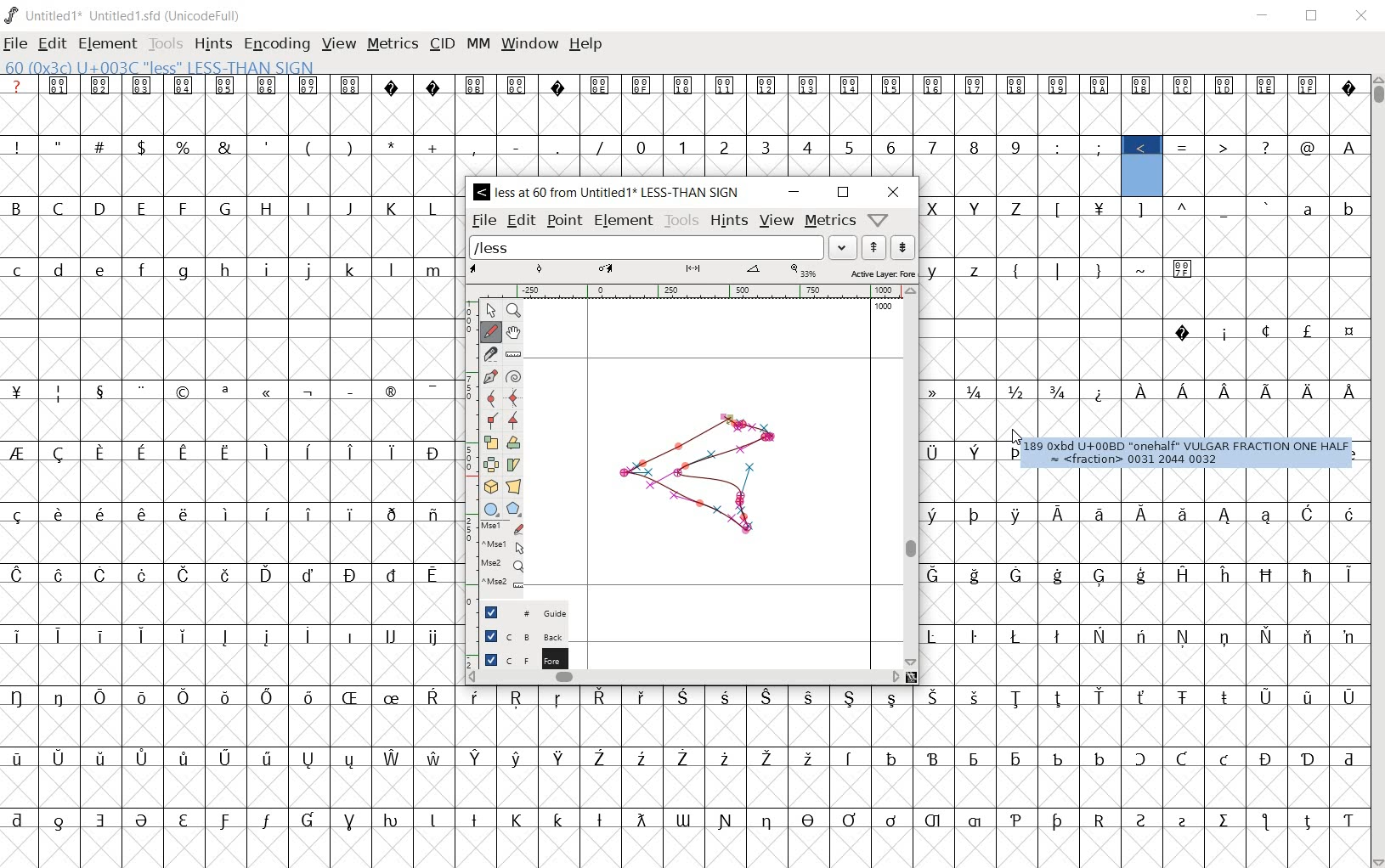 This screenshot has width=1385, height=868. Describe the element at coordinates (1020, 175) in the screenshot. I see `empty cells` at that location.